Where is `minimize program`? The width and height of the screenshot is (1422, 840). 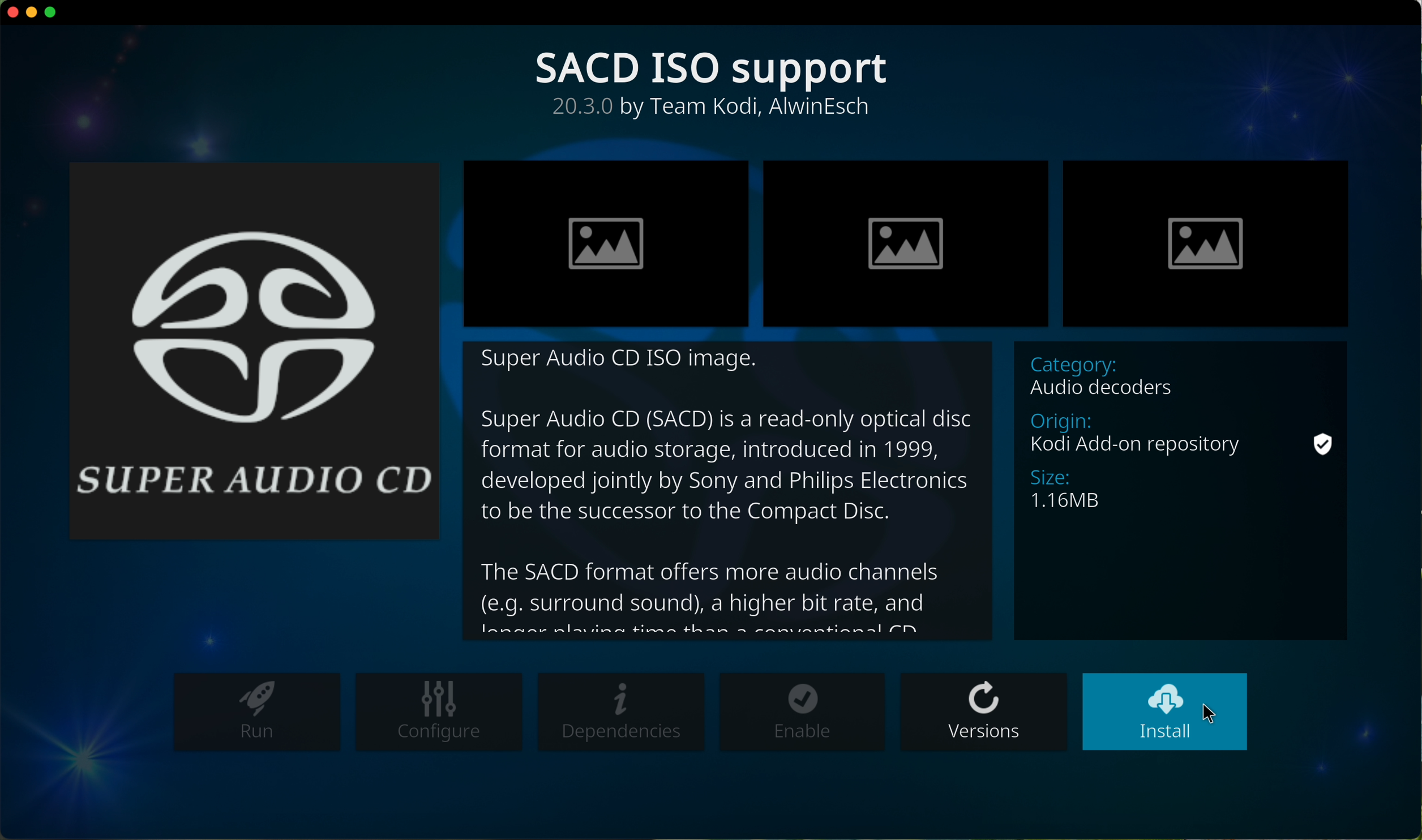
minimize program is located at coordinates (33, 13).